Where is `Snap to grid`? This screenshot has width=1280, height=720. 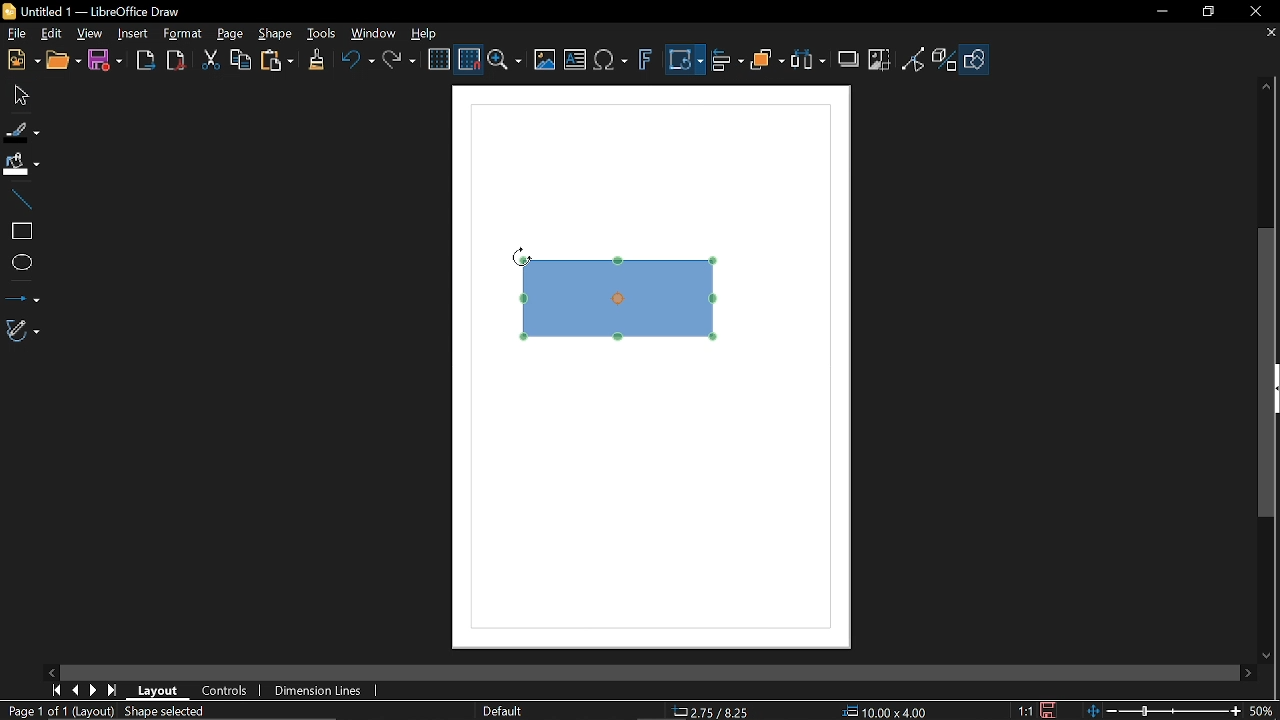
Snap to grid is located at coordinates (468, 60).